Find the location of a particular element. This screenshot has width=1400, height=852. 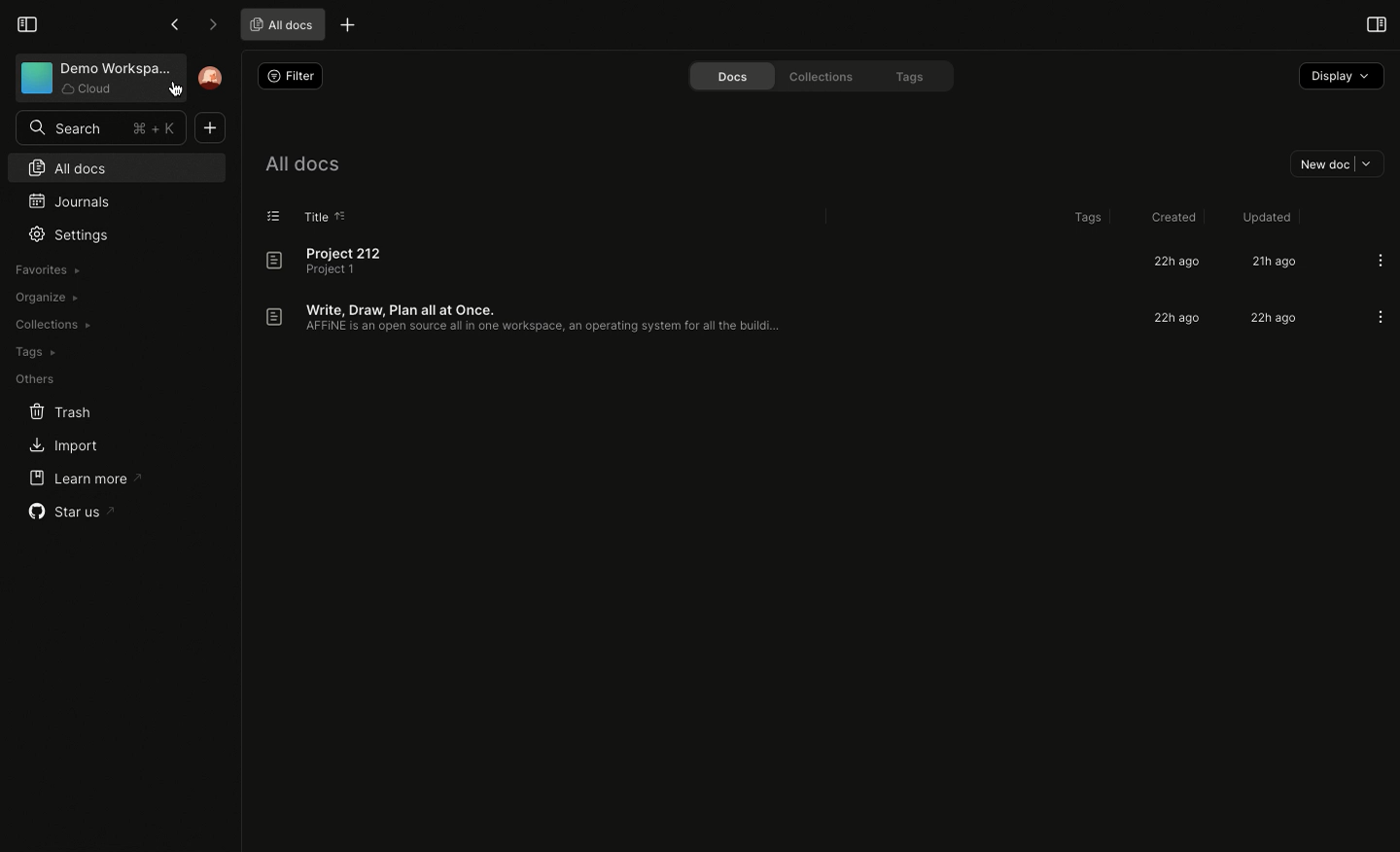

Others is located at coordinates (35, 379).